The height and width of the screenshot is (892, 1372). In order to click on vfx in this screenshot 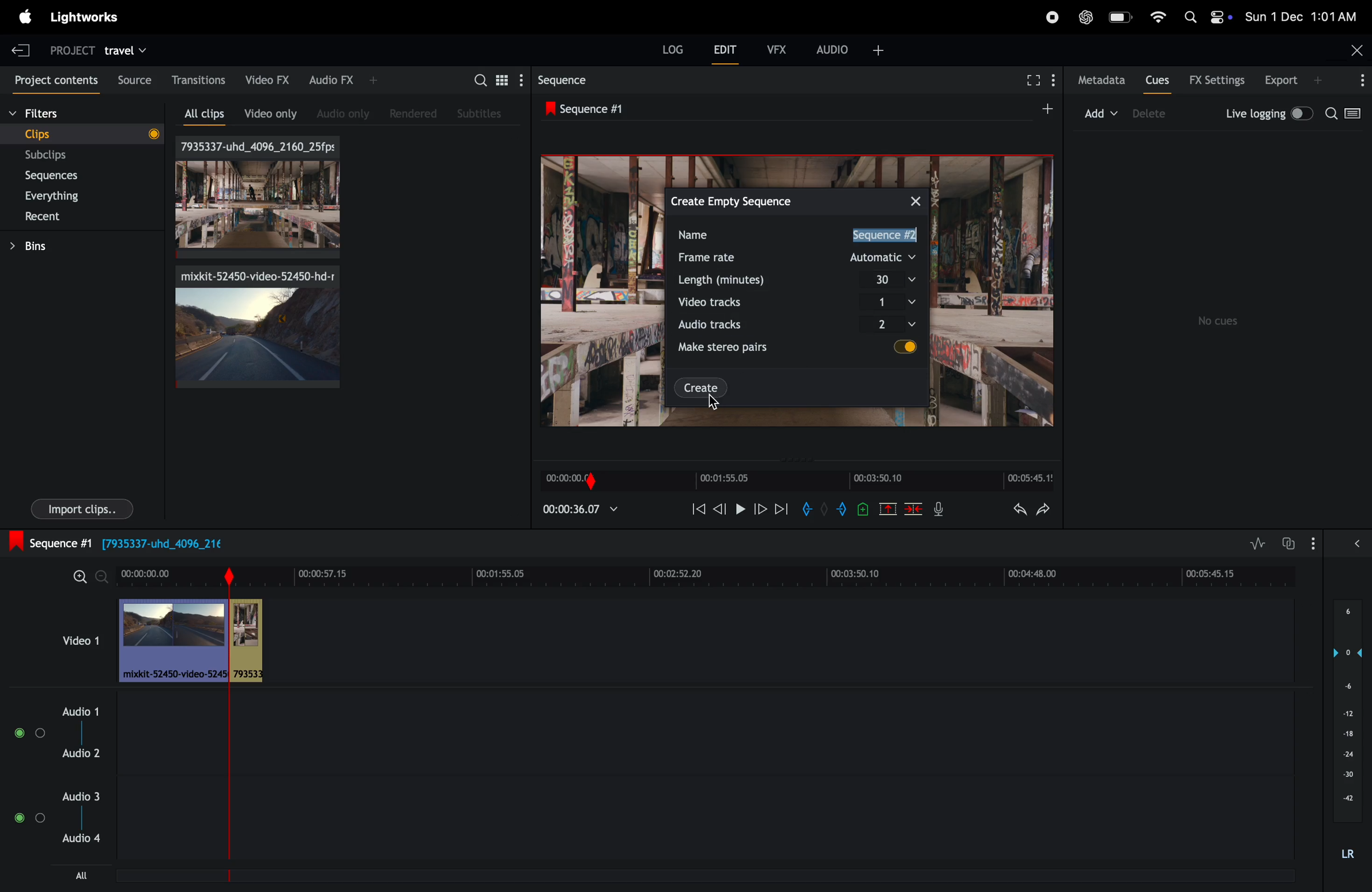, I will do `click(773, 48)`.